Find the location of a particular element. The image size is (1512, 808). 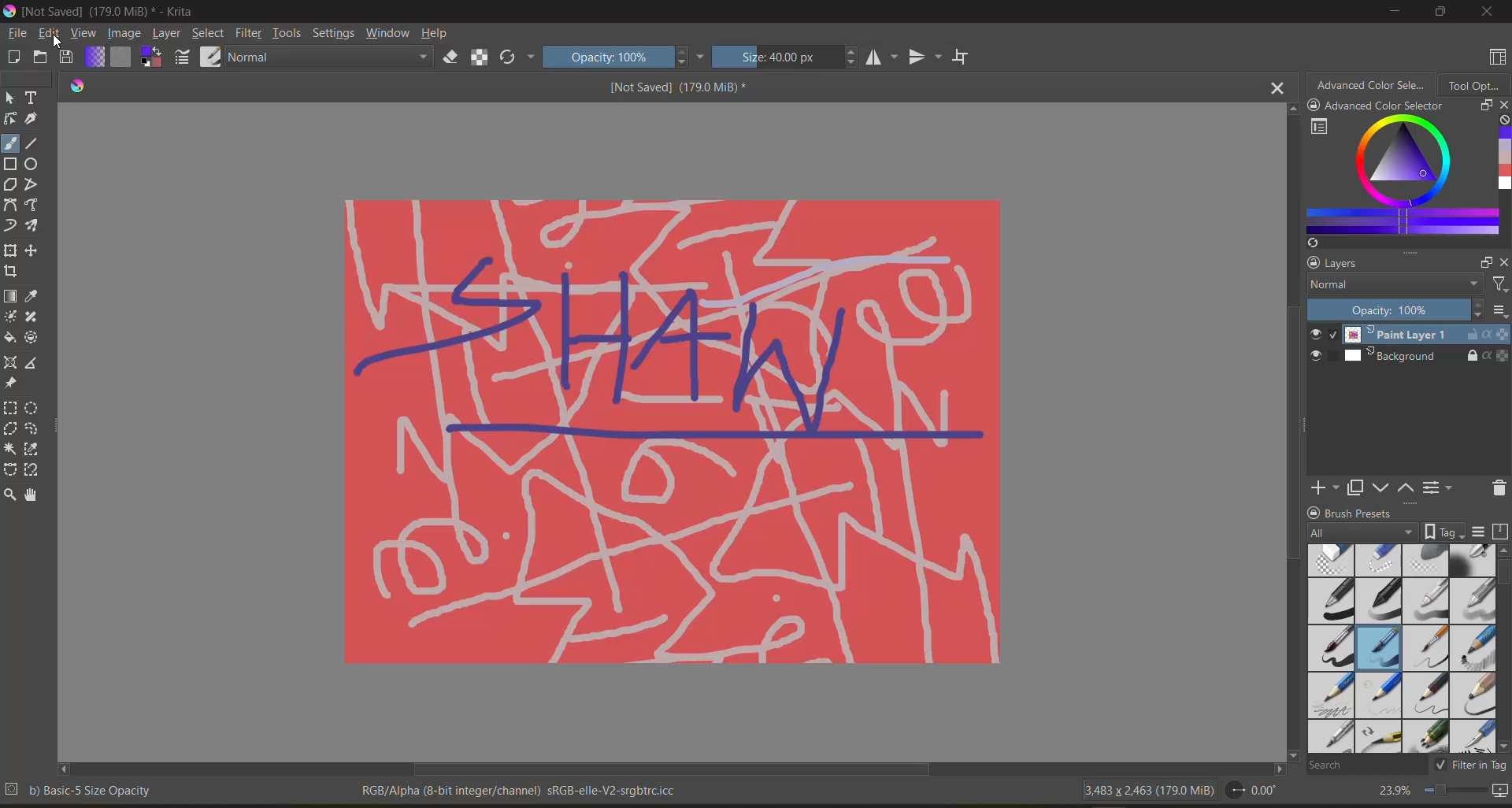

file is located at coordinates (17, 34).